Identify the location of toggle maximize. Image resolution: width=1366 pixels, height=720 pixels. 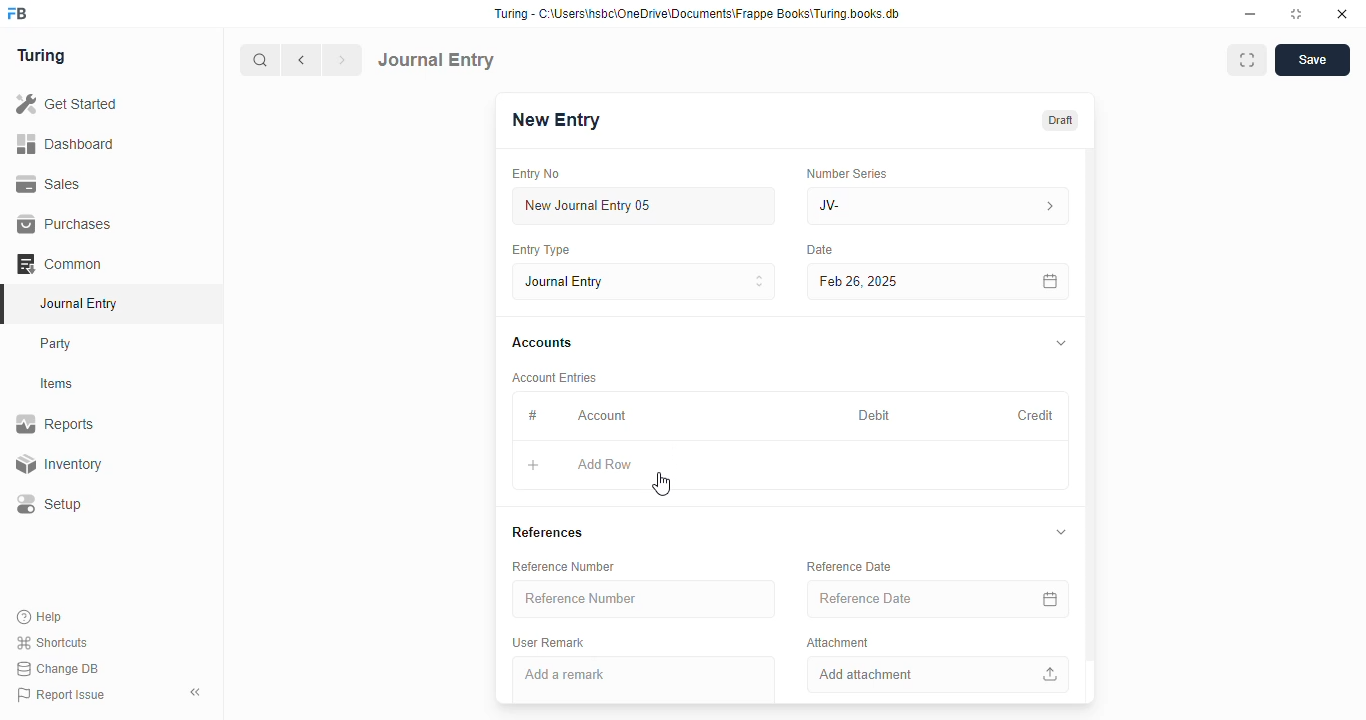
(1296, 14).